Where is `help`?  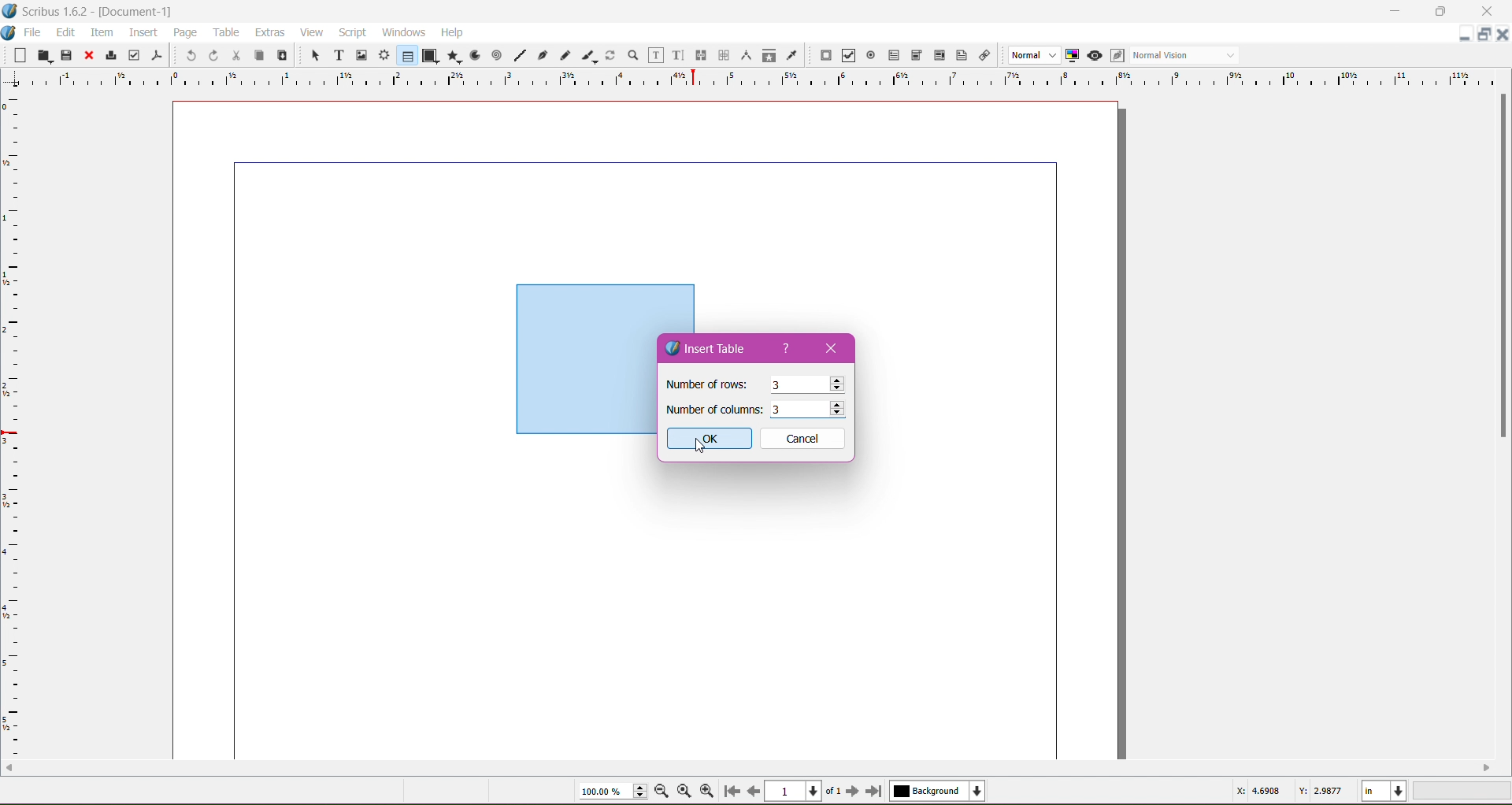
help is located at coordinates (788, 351).